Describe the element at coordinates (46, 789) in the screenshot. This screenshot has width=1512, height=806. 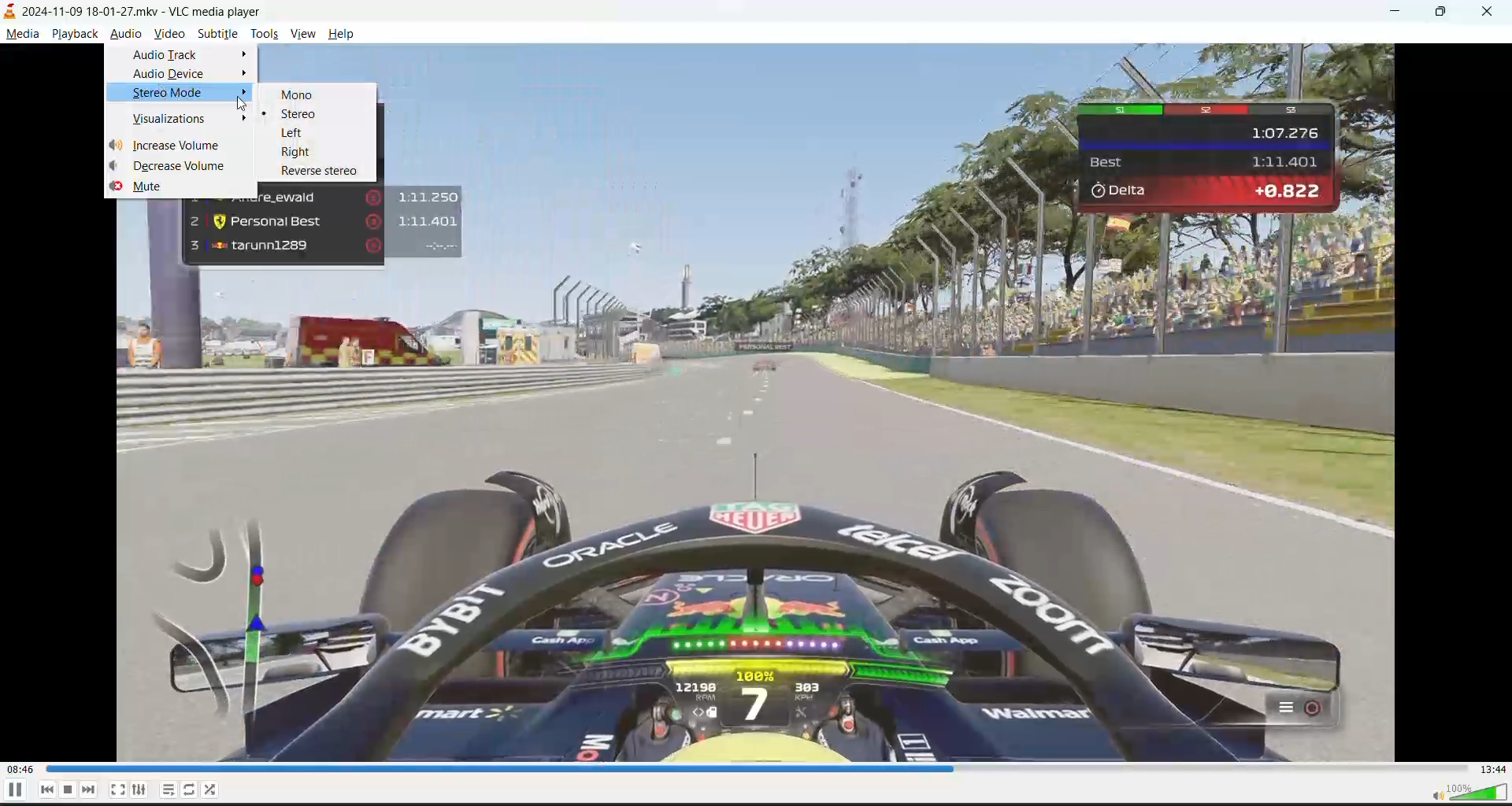
I see `pervious` at that location.